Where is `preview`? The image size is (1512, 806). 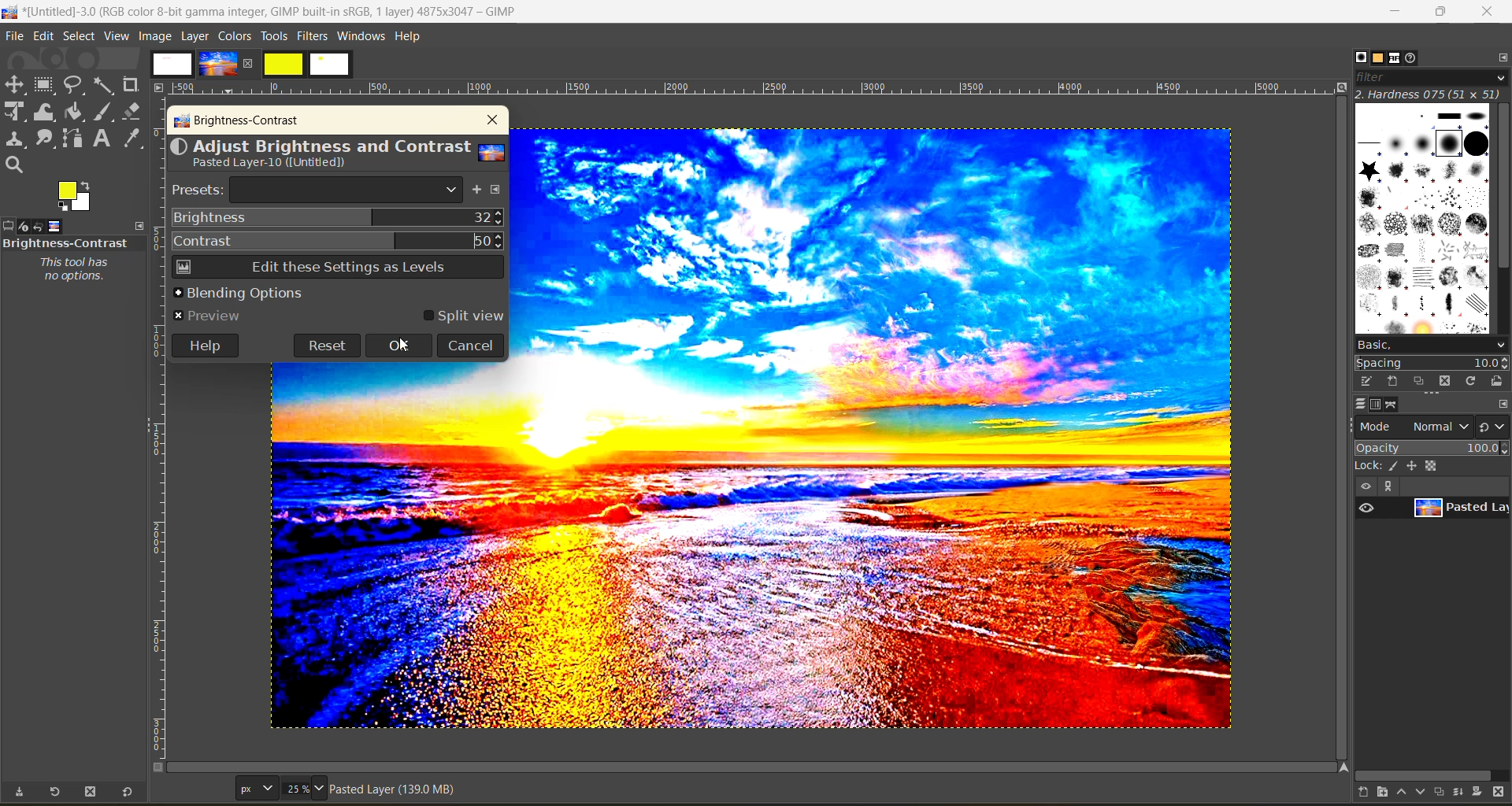
preview is located at coordinates (212, 315).